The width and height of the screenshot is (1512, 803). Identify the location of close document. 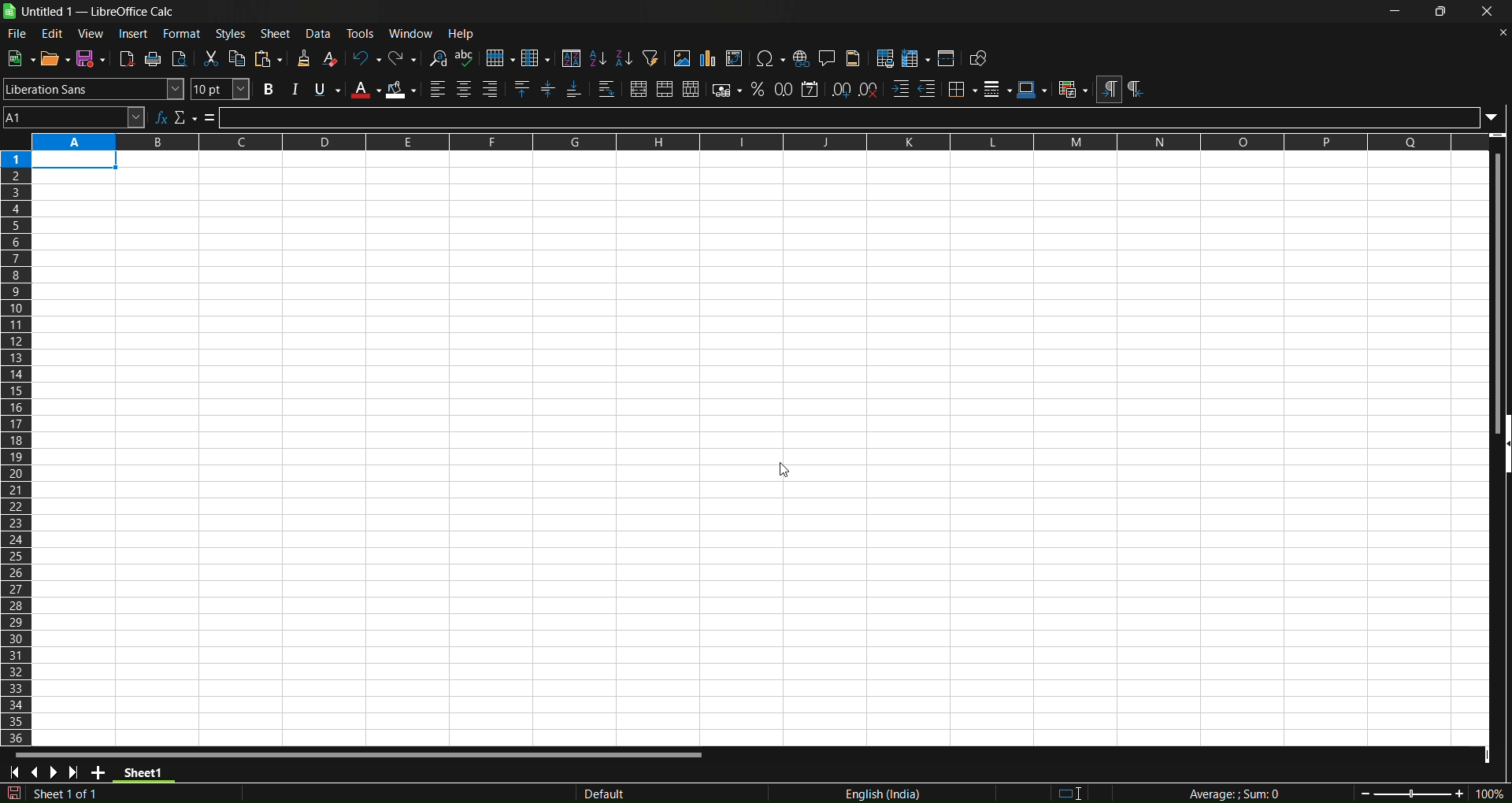
(1499, 31).